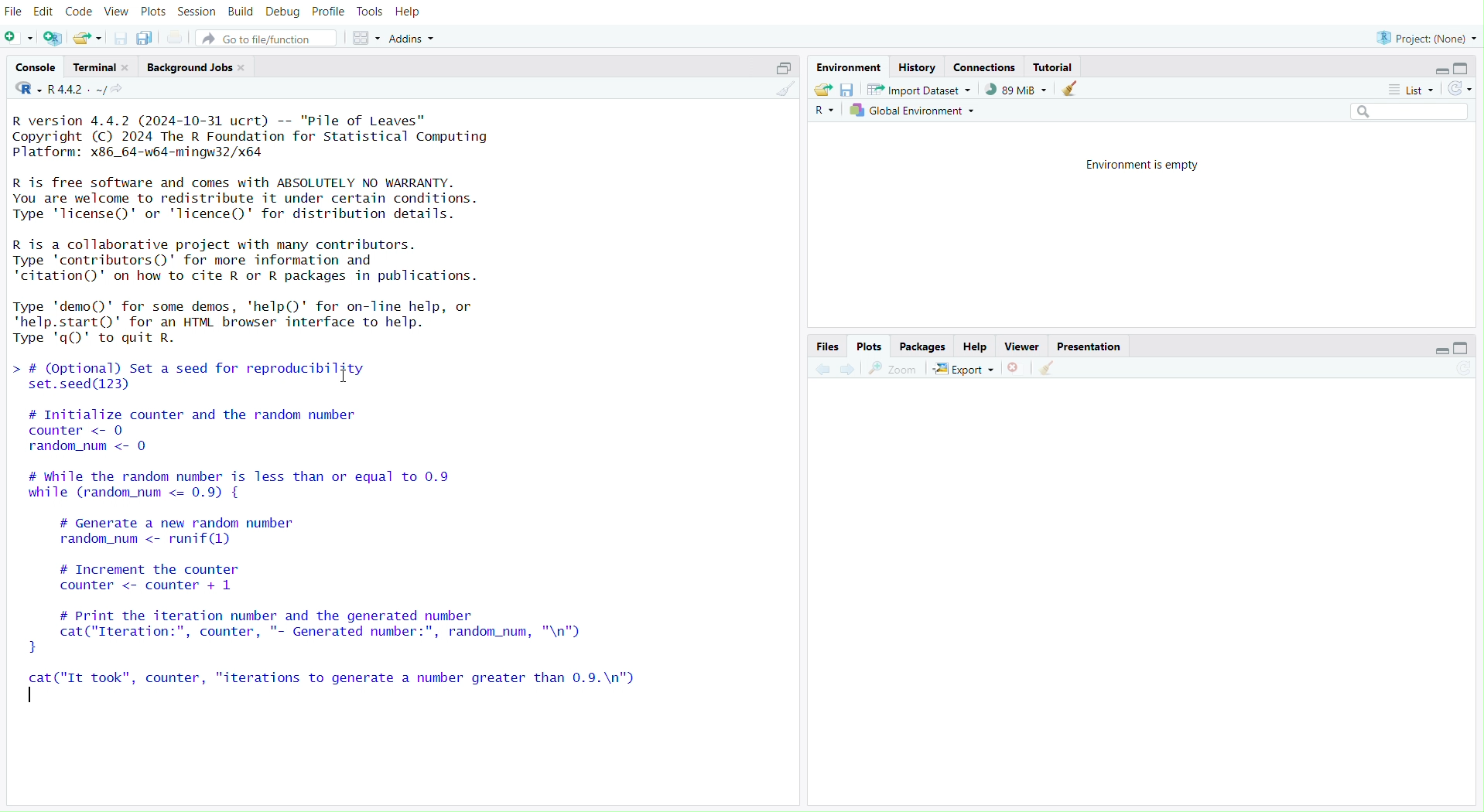 This screenshot has width=1484, height=812. What do you see at coordinates (369, 12) in the screenshot?
I see `Tools` at bounding box center [369, 12].